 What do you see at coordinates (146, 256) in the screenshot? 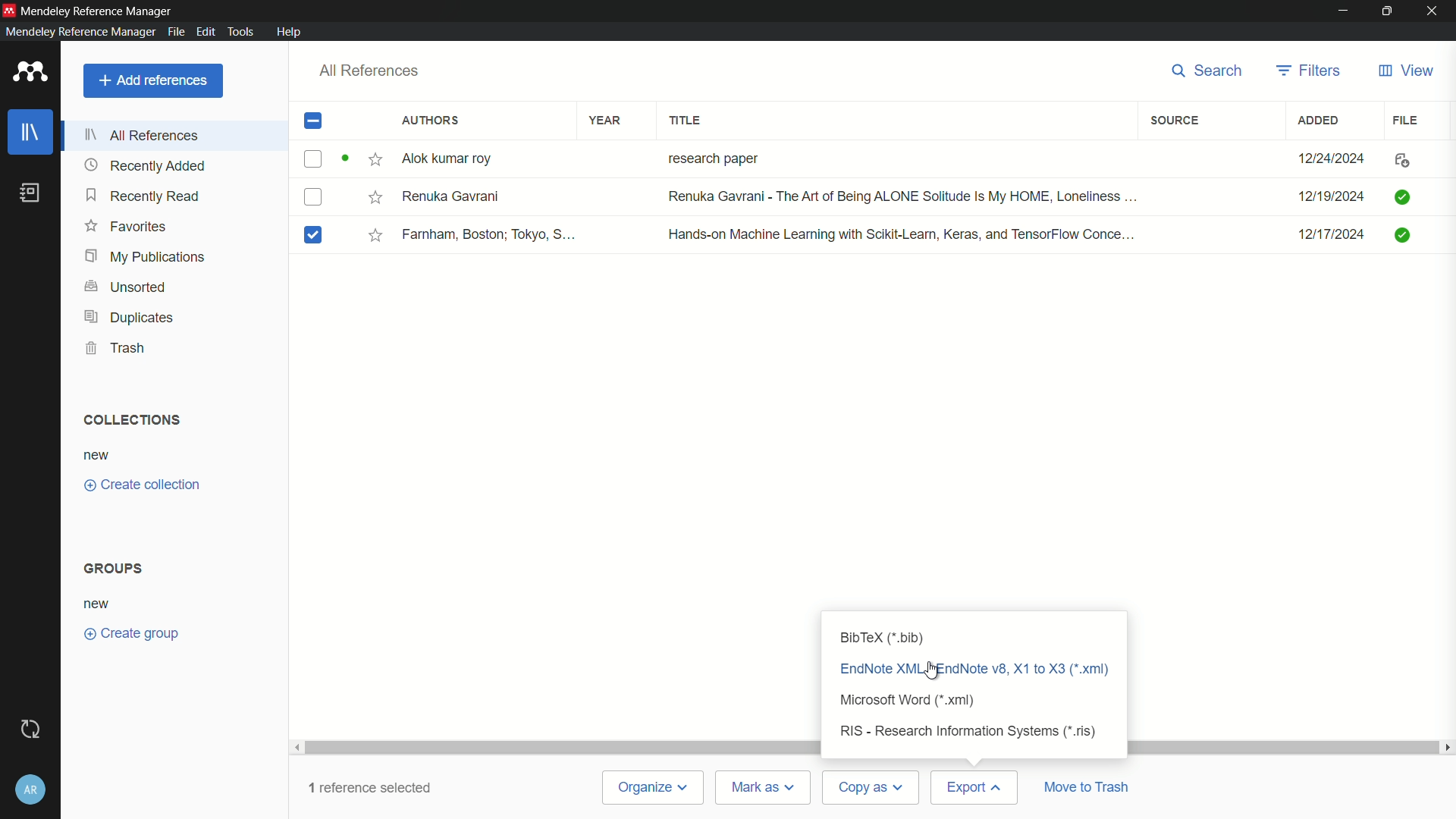
I see `my publications` at bounding box center [146, 256].